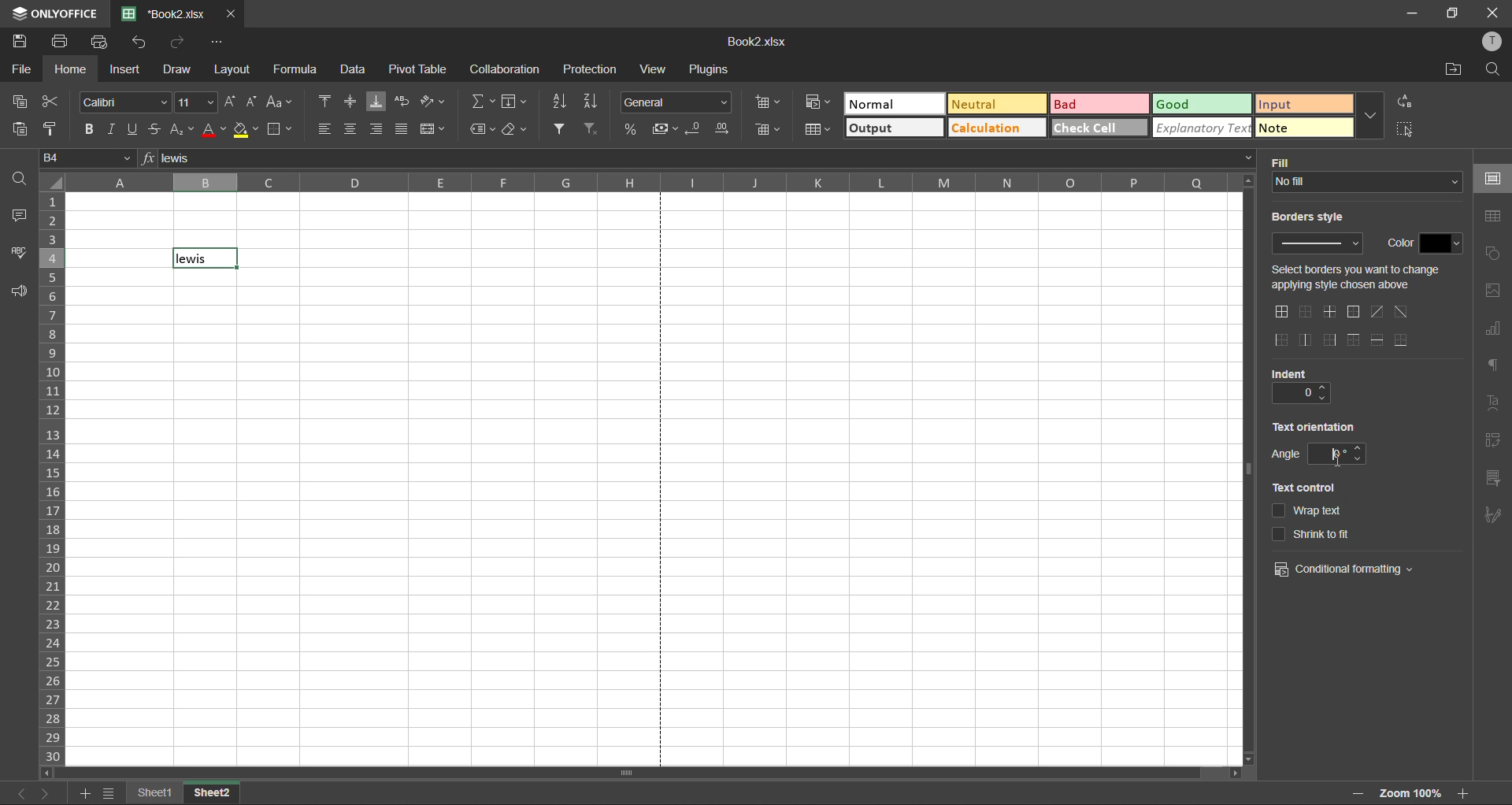 This screenshot has width=1512, height=805. Describe the element at coordinates (1467, 792) in the screenshot. I see `zoom in` at that location.